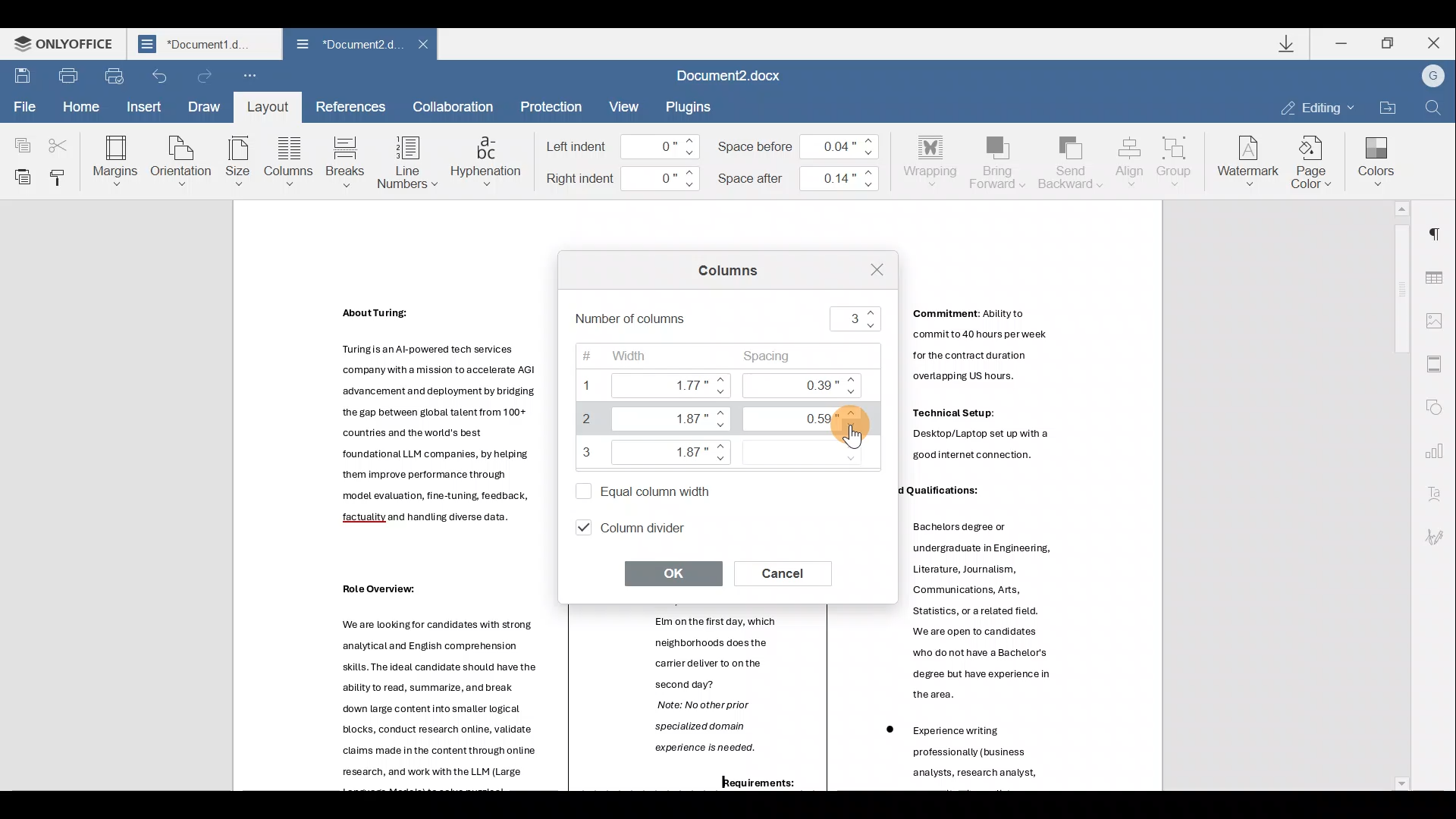 This screenshot has height=819, width=1456. Describe the element at coordinates (1396, 495) in the screenshot. I see `Scroll bar` at that location.